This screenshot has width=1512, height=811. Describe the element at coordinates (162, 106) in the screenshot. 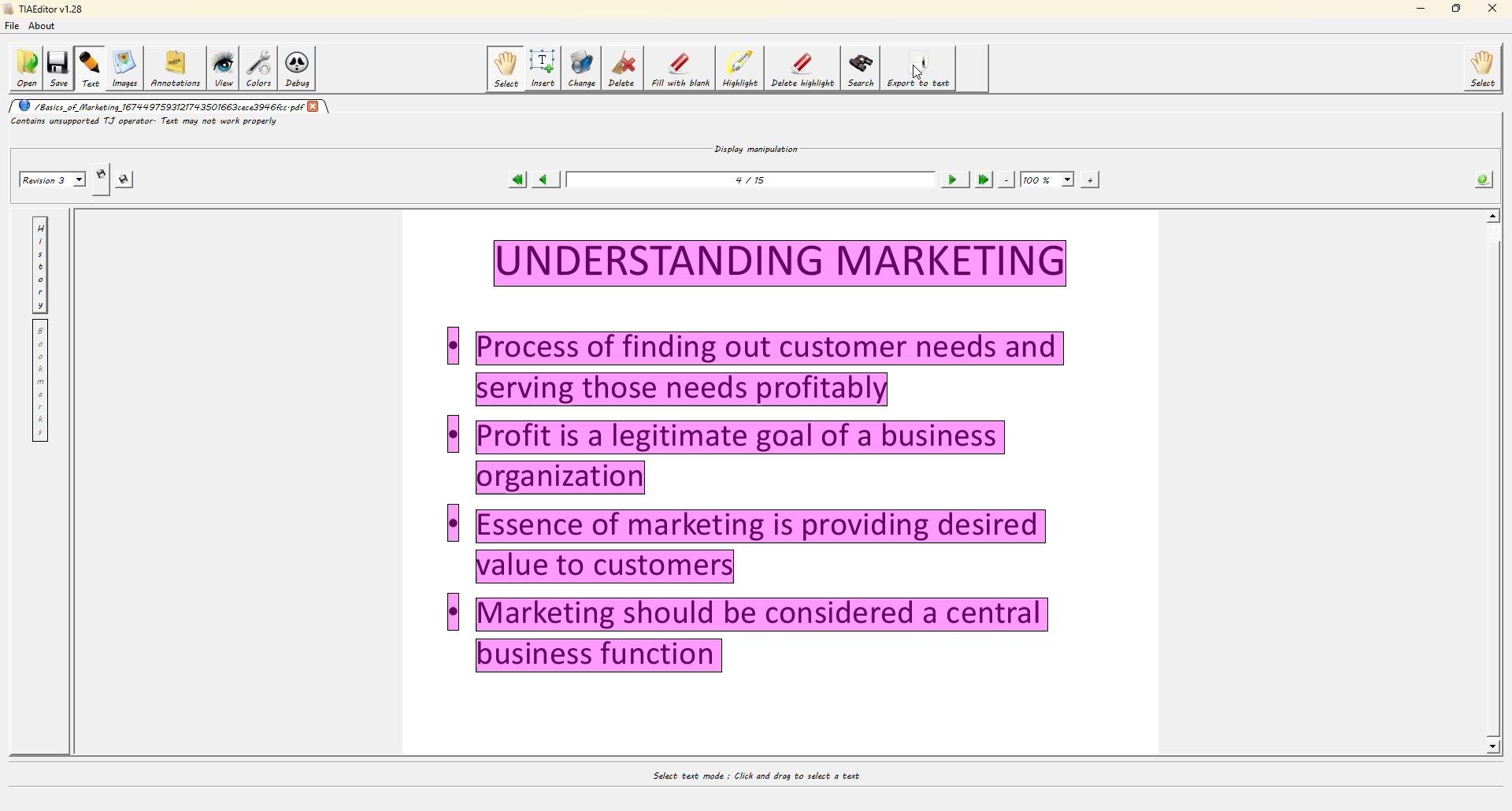

I see `pdf file` at that location.